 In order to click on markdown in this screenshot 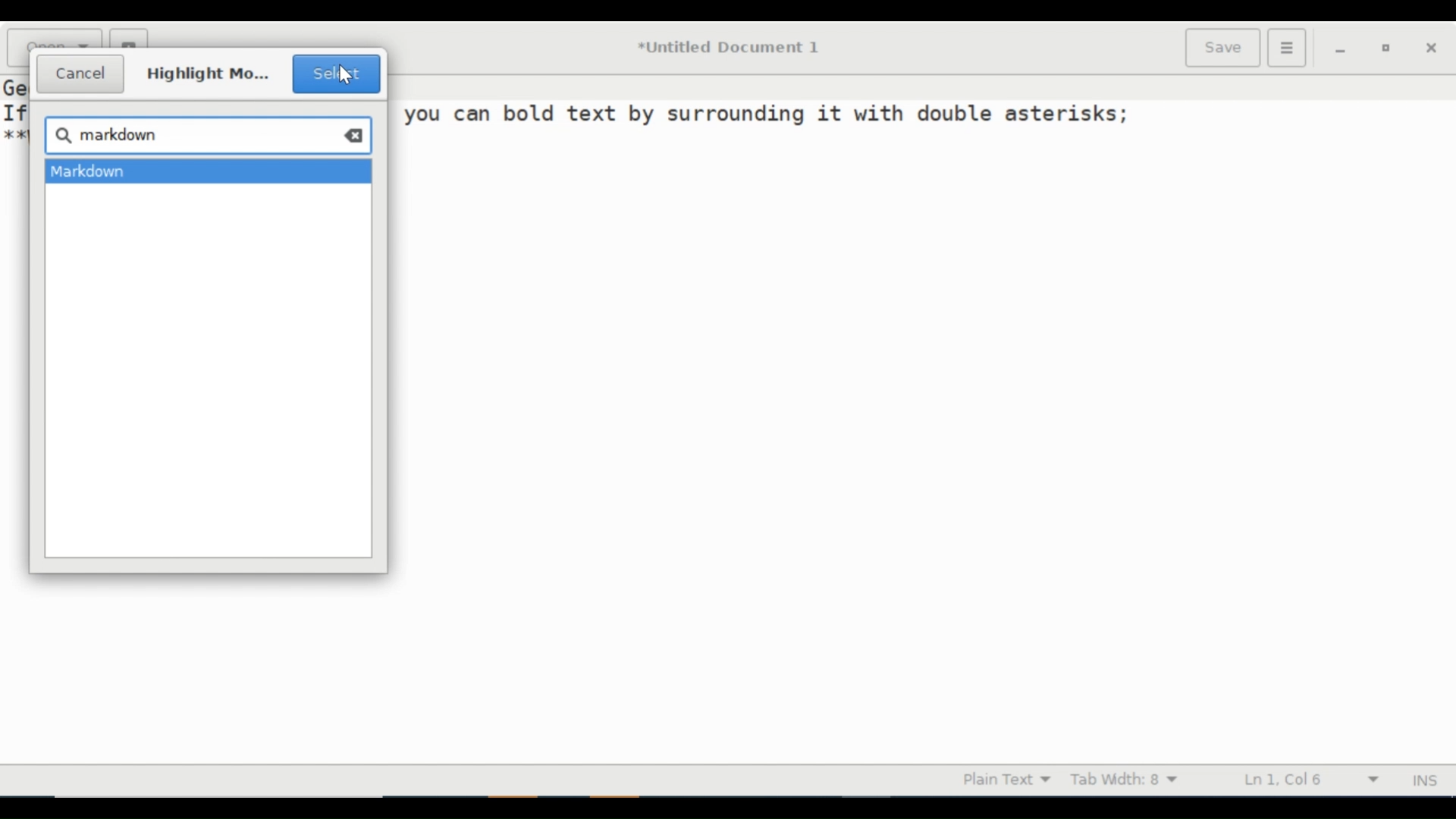, I will do `click(118, 134)`.